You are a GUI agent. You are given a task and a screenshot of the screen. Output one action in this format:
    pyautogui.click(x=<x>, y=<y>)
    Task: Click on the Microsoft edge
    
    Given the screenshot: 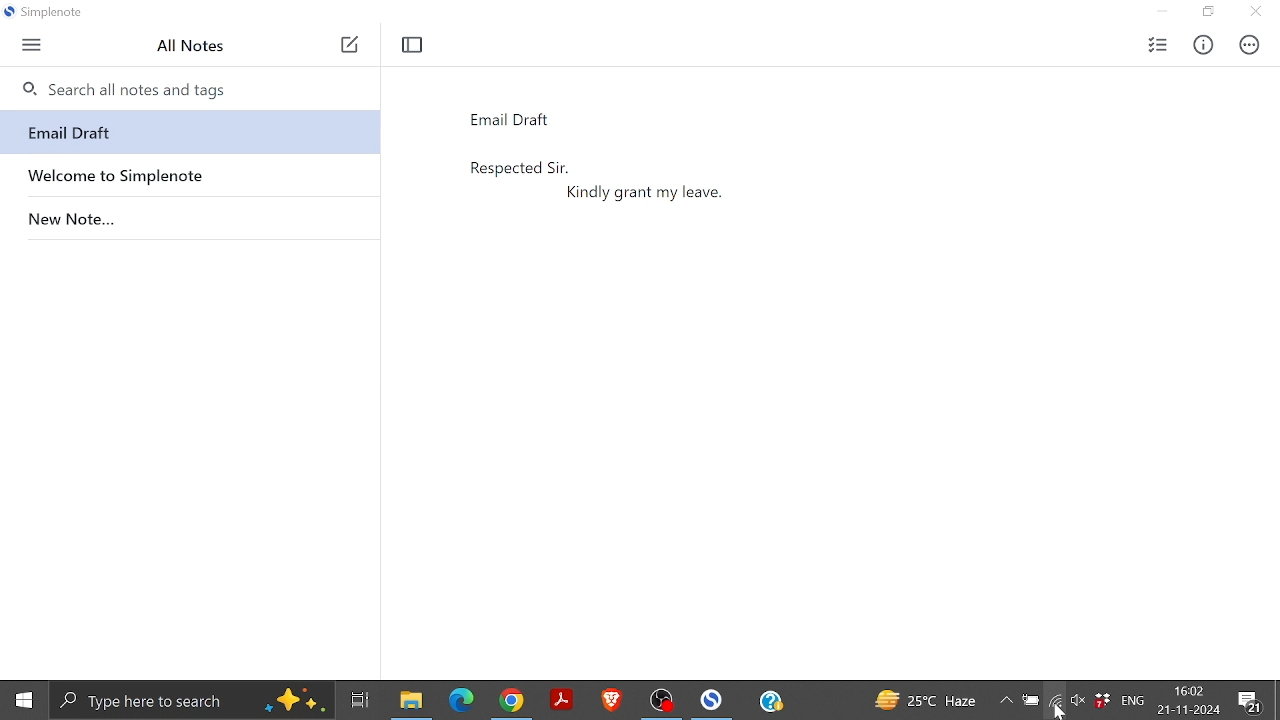 What is the action you would take?
    pyautogui.click(x=461, y=700)
    